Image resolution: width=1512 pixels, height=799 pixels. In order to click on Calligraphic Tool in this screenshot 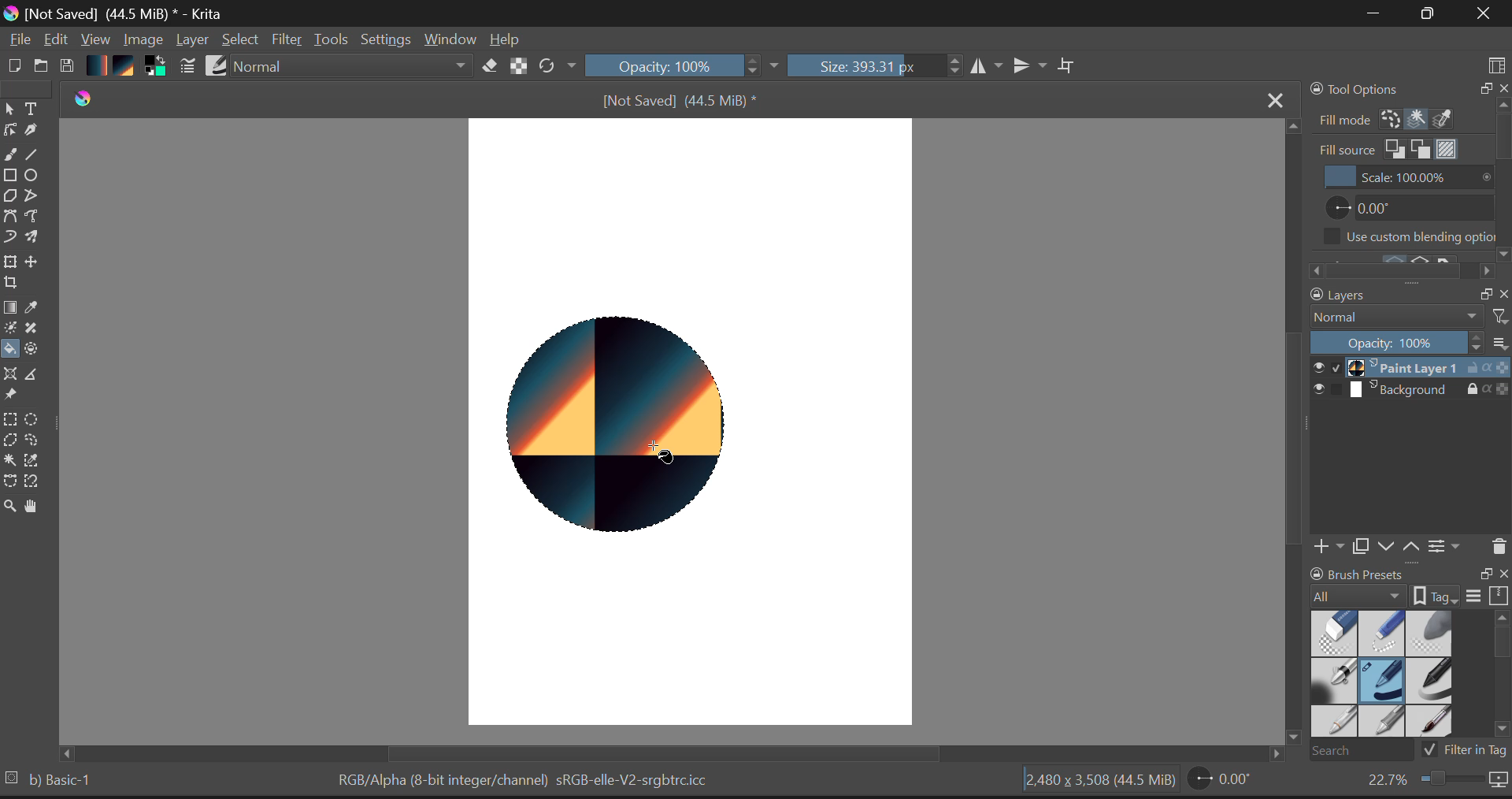, I will do `click(31, 133)`.